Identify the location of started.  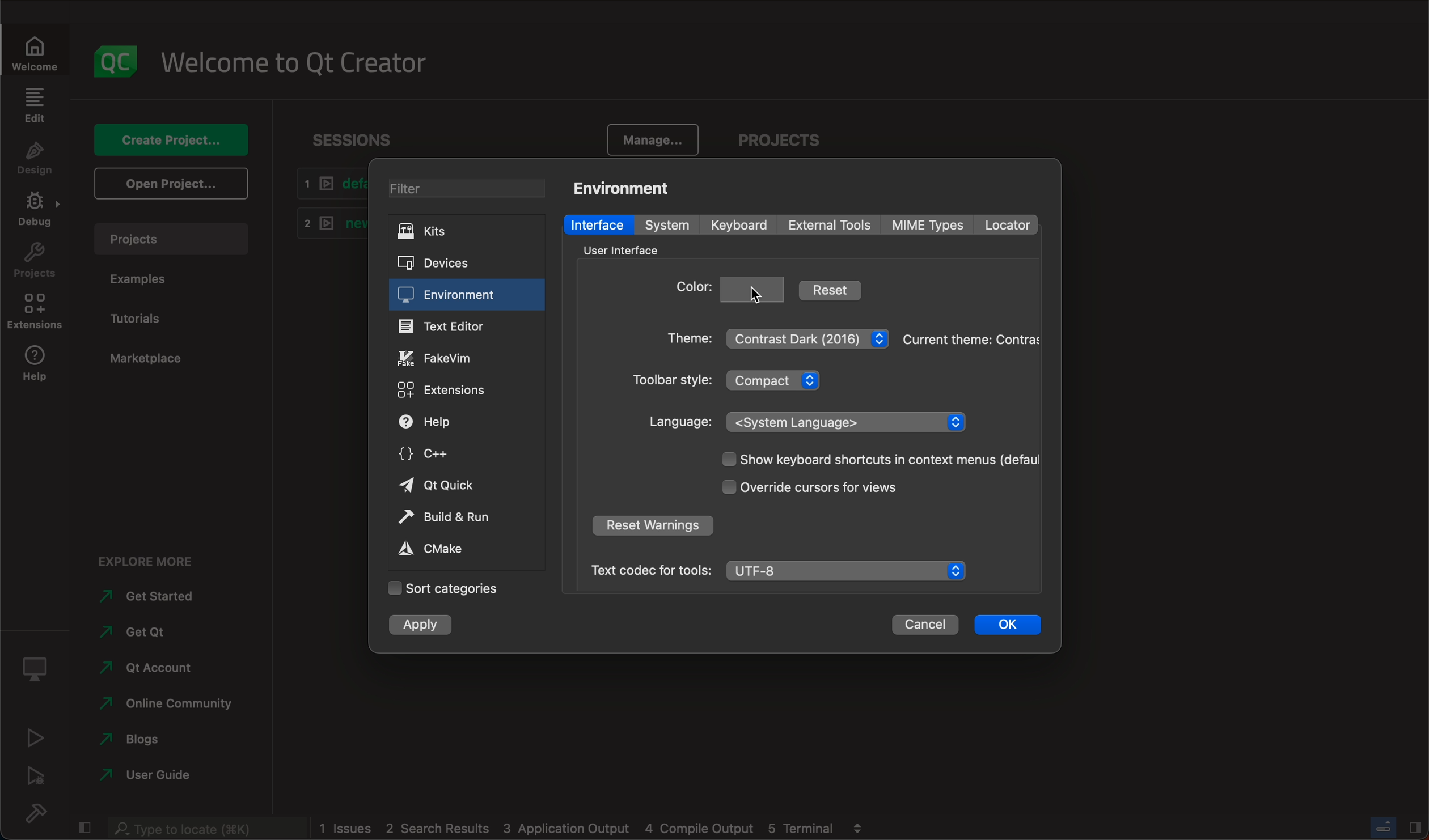
(155, 596).